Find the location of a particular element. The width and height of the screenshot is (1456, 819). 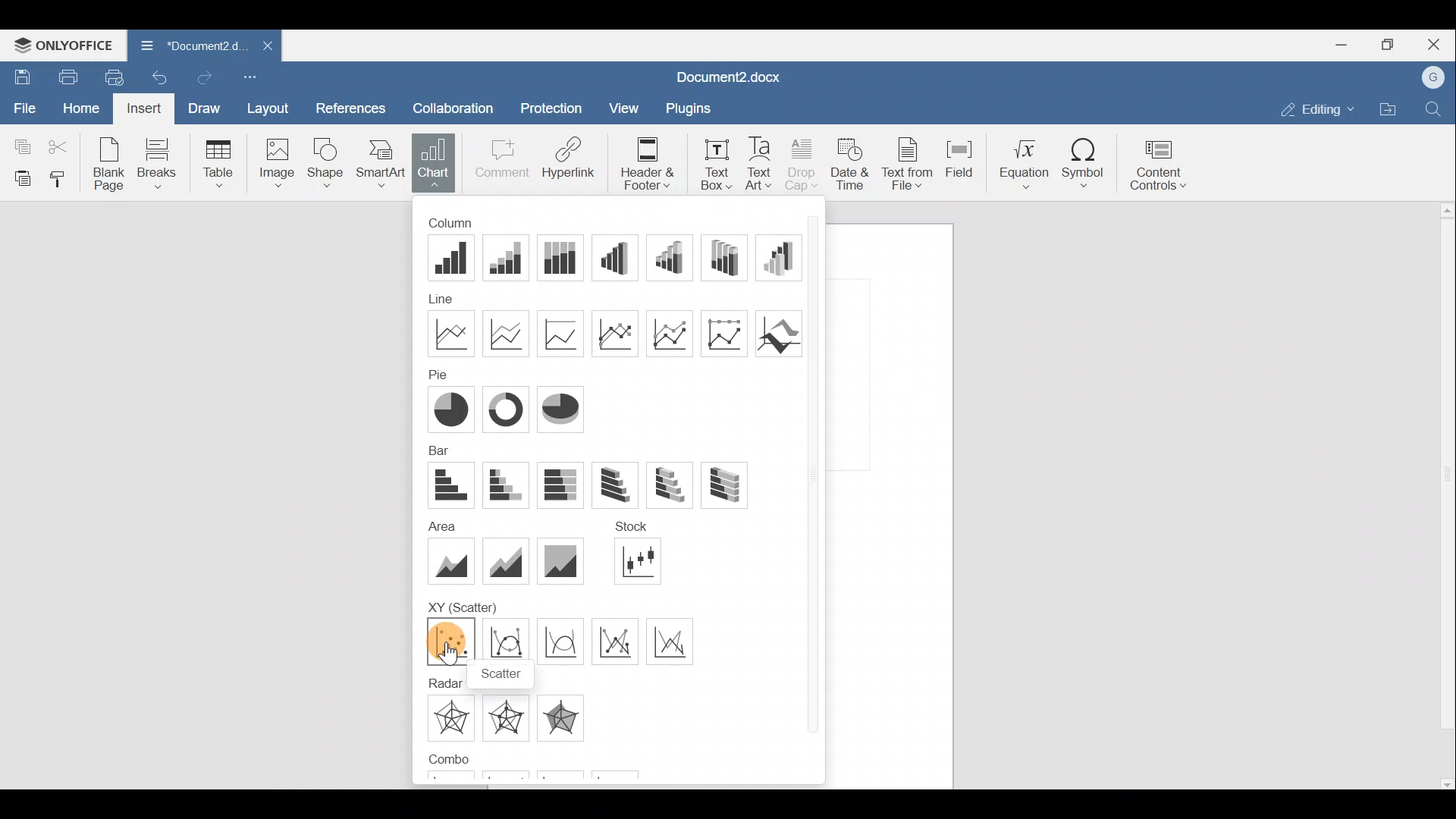

Breaks is located at coordinates (165, 162).